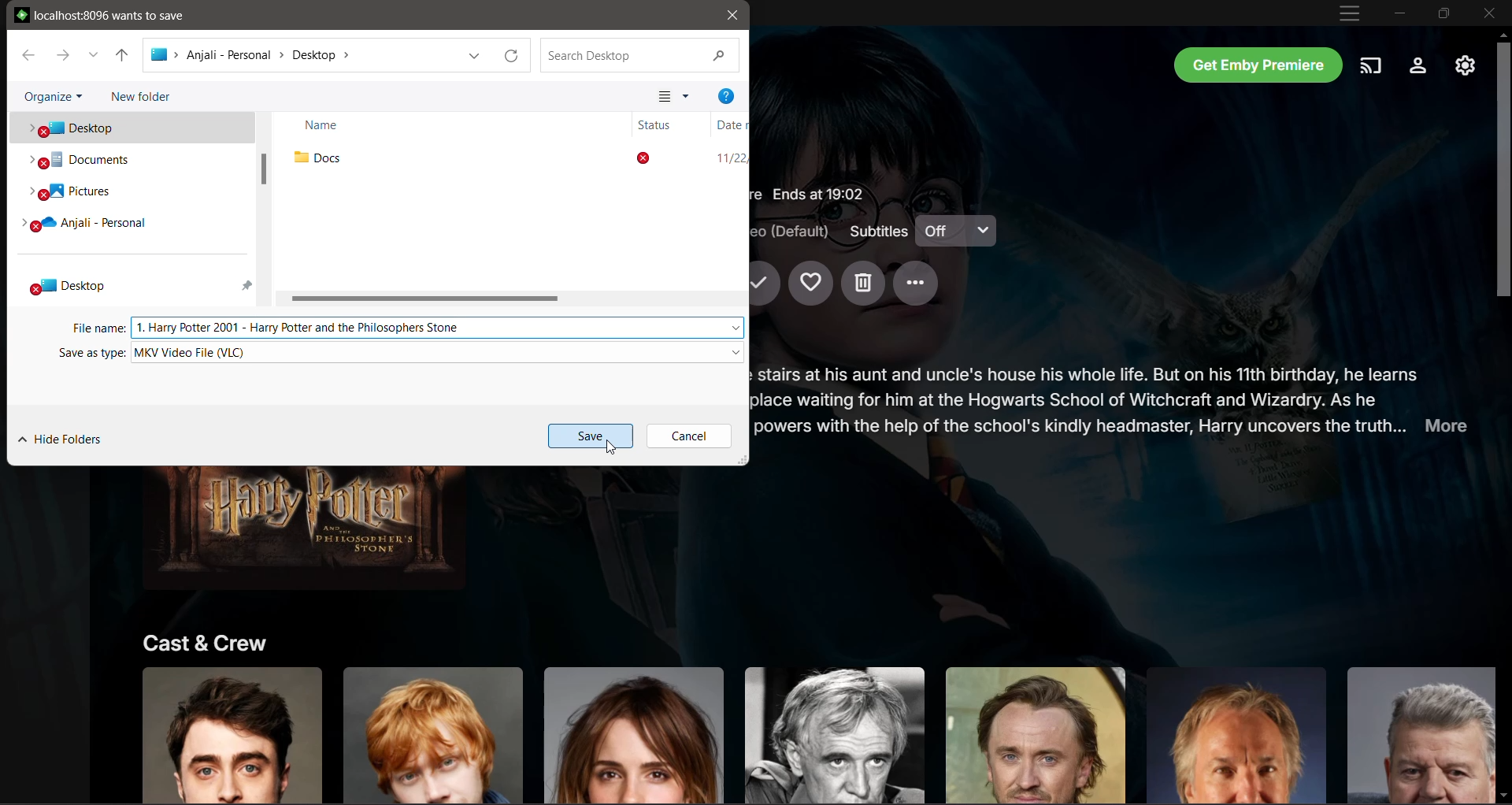 The image size is (1512, 805). What do you see at coordinates (740, 459) in the screenshot?
I see `Click to change dimension` at bounding box center [740, 459].